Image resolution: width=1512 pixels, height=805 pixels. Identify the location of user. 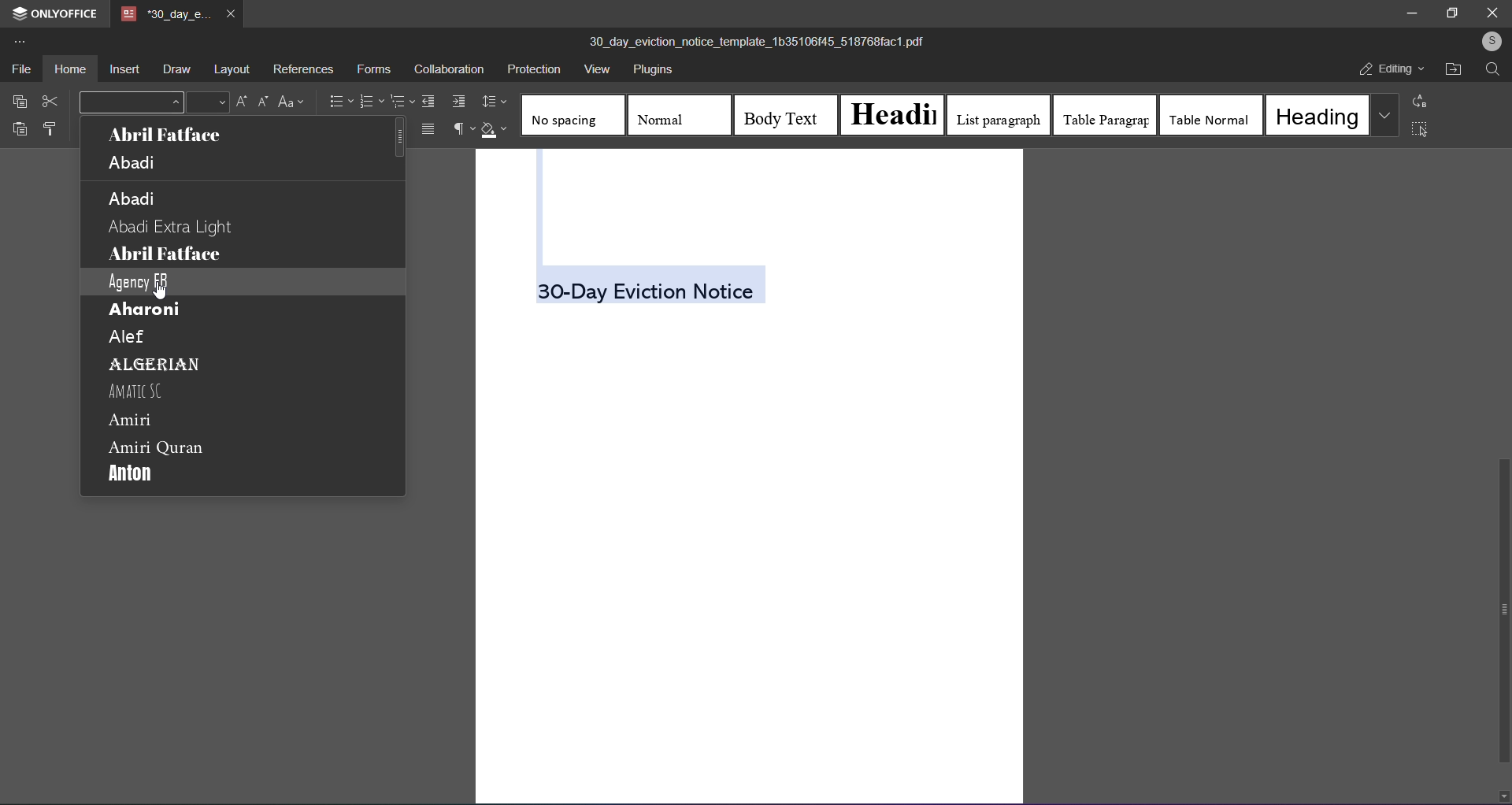
(1492, 42).